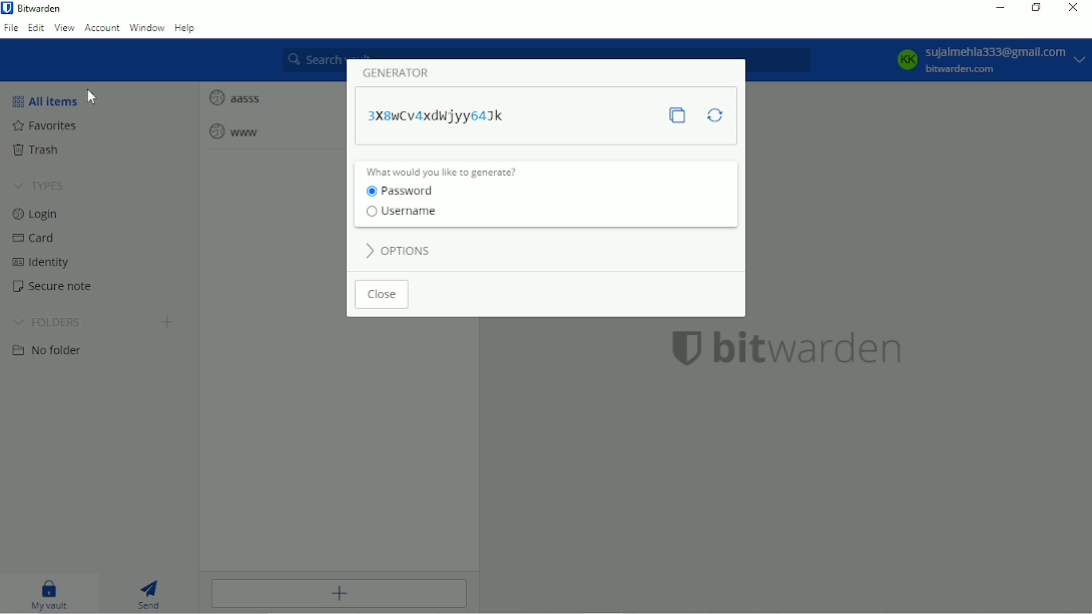 The width and height of the screenshot is (1092, 614). Describe the element at coordinates (171, 321) in the screenshot. I see `Create folder` at that location.